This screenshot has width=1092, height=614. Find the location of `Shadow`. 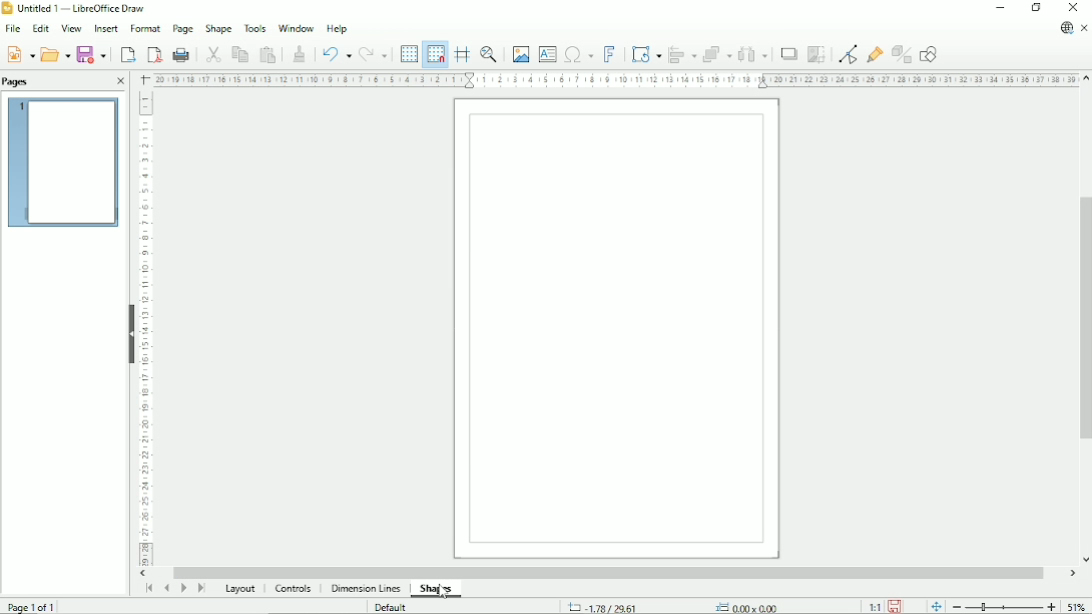

Shadow is located at coordinates (787, 55).